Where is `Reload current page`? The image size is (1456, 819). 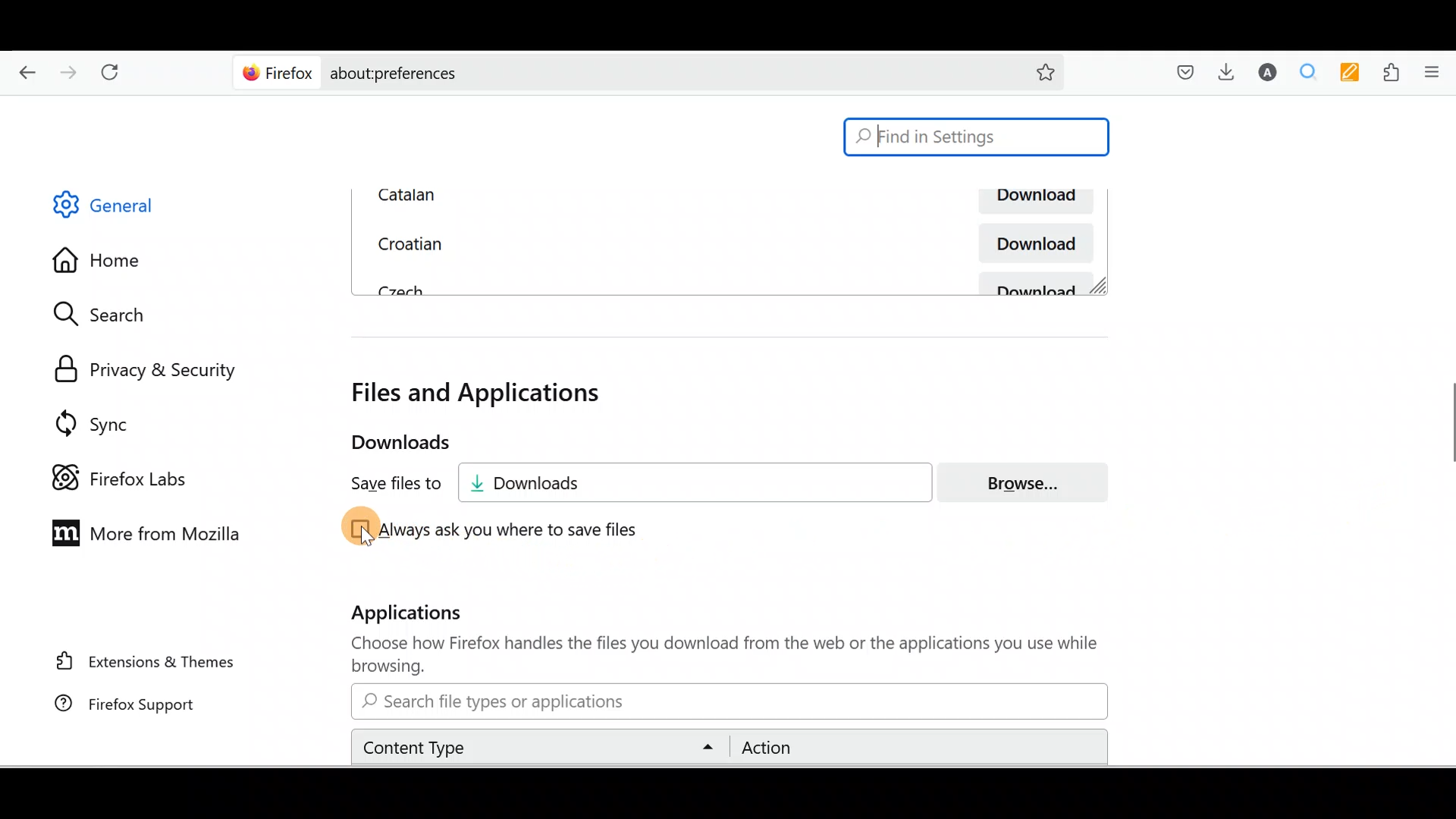
Reload current page is located at coordinates (119, 75).